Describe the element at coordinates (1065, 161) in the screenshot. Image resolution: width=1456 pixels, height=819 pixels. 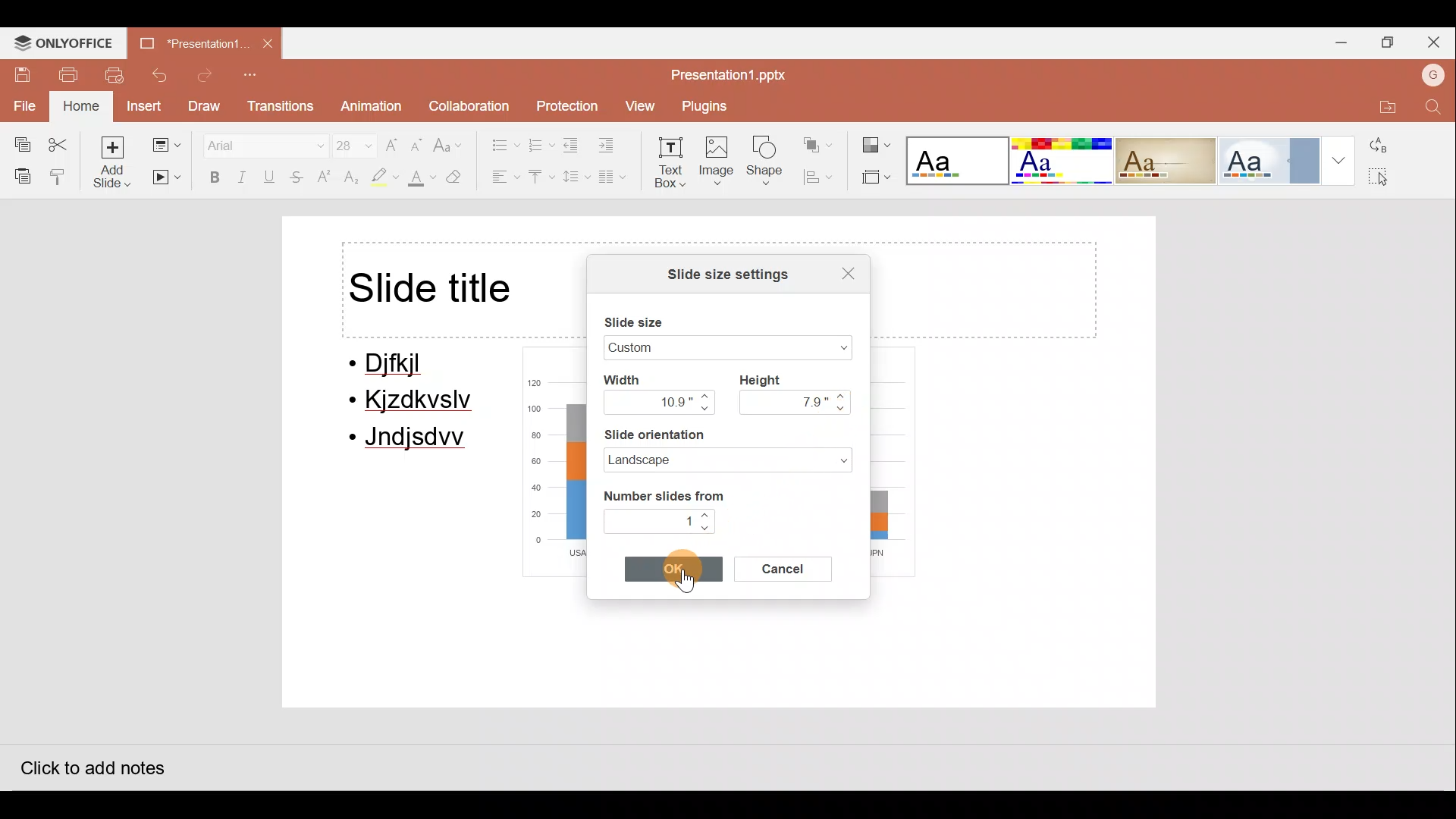
I see `Theme 2` at that location.